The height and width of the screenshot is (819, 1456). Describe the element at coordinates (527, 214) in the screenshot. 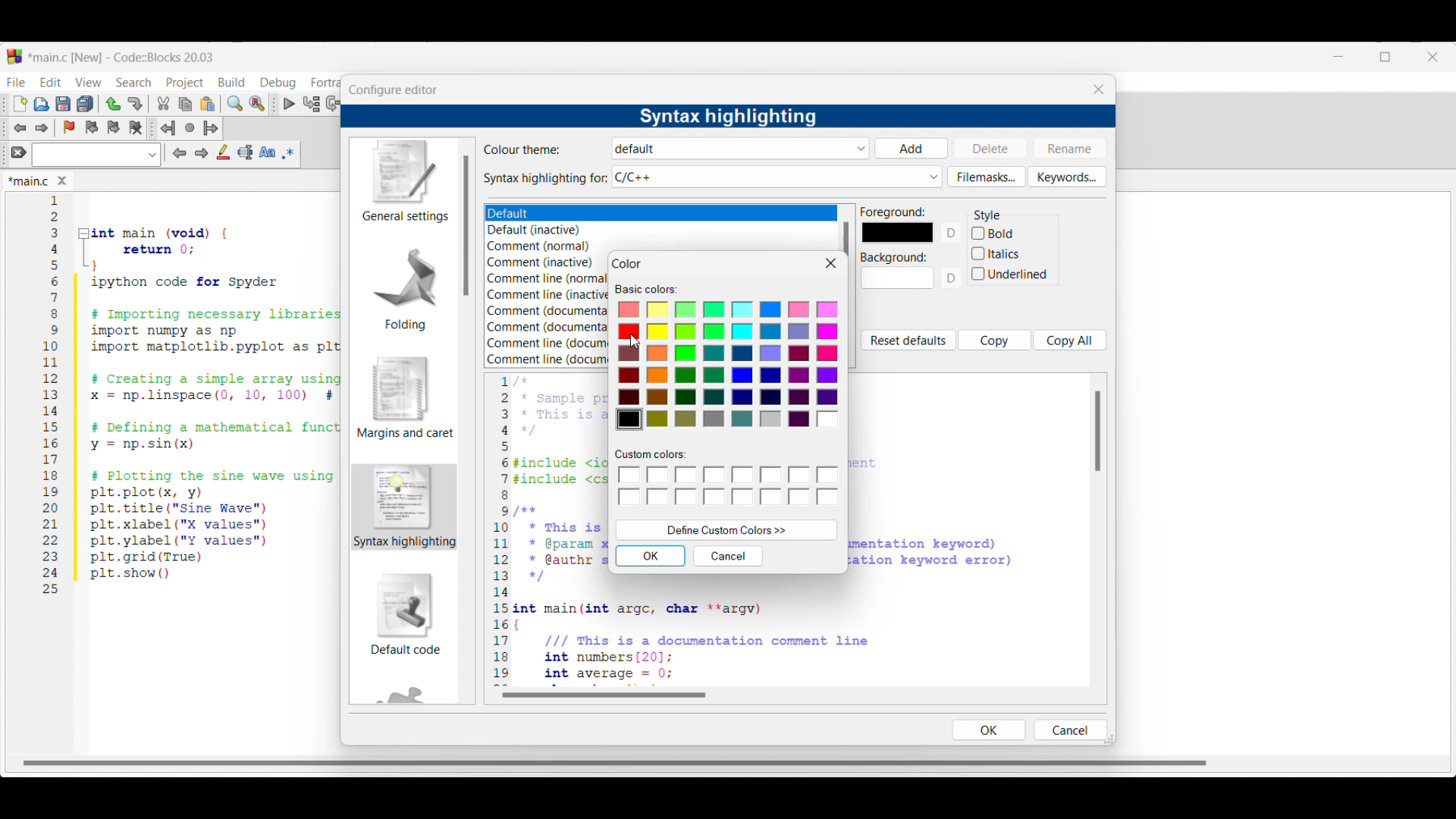

I see `Theme options` at that location.